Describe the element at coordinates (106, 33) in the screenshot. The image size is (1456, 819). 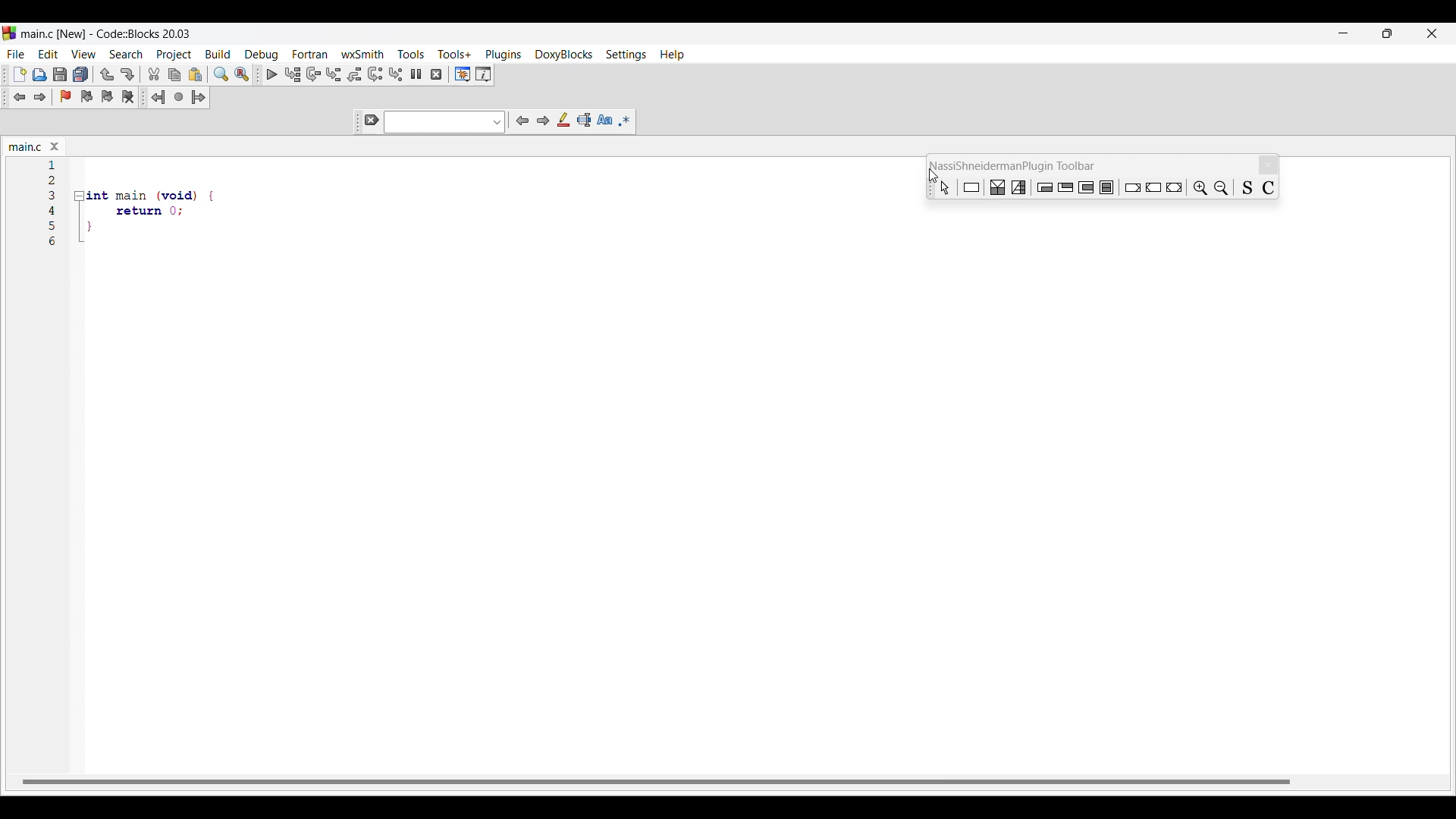
I see `Project name, software name and version` at that location.